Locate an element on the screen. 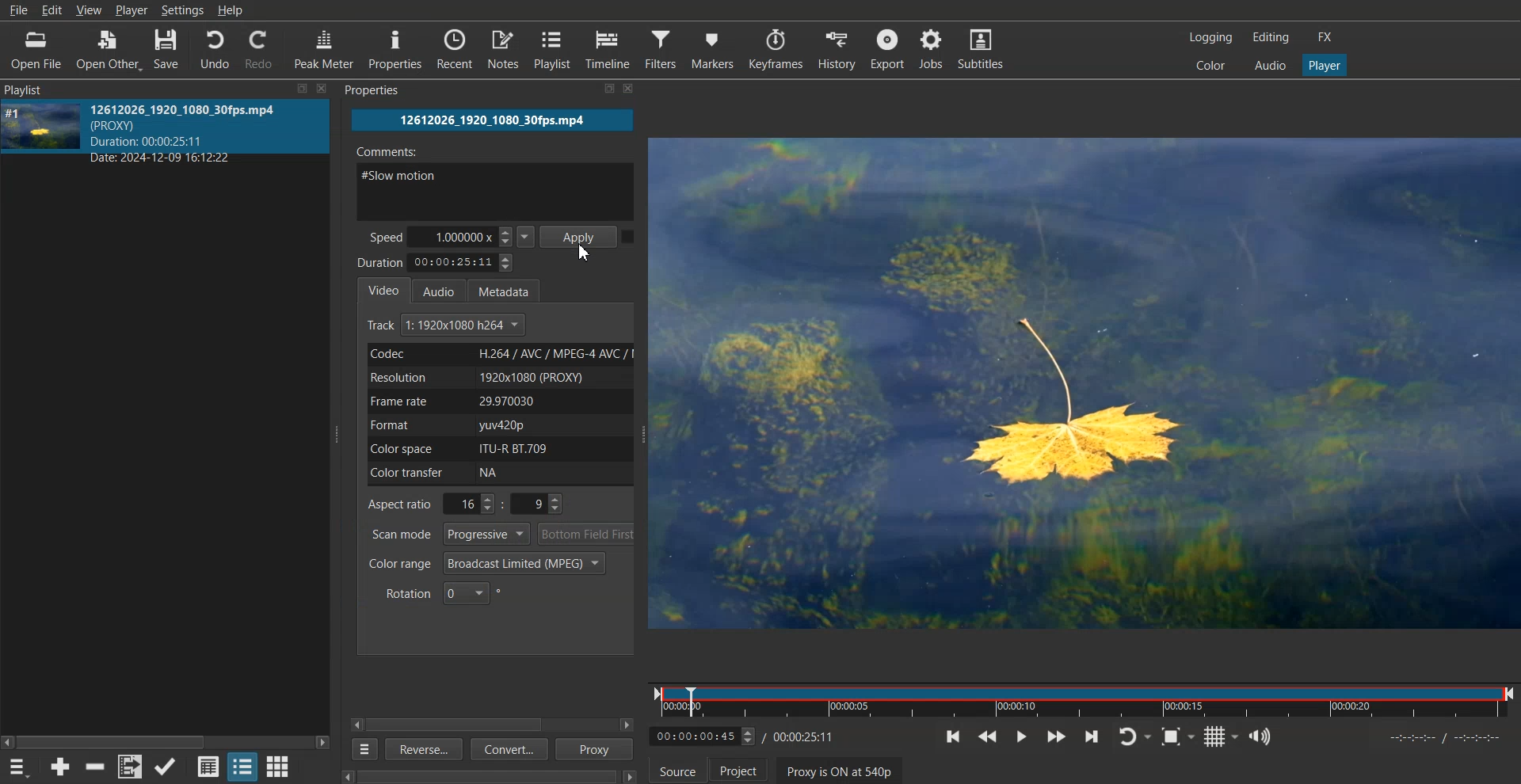  Jobs is located at coordinates (934, 48).